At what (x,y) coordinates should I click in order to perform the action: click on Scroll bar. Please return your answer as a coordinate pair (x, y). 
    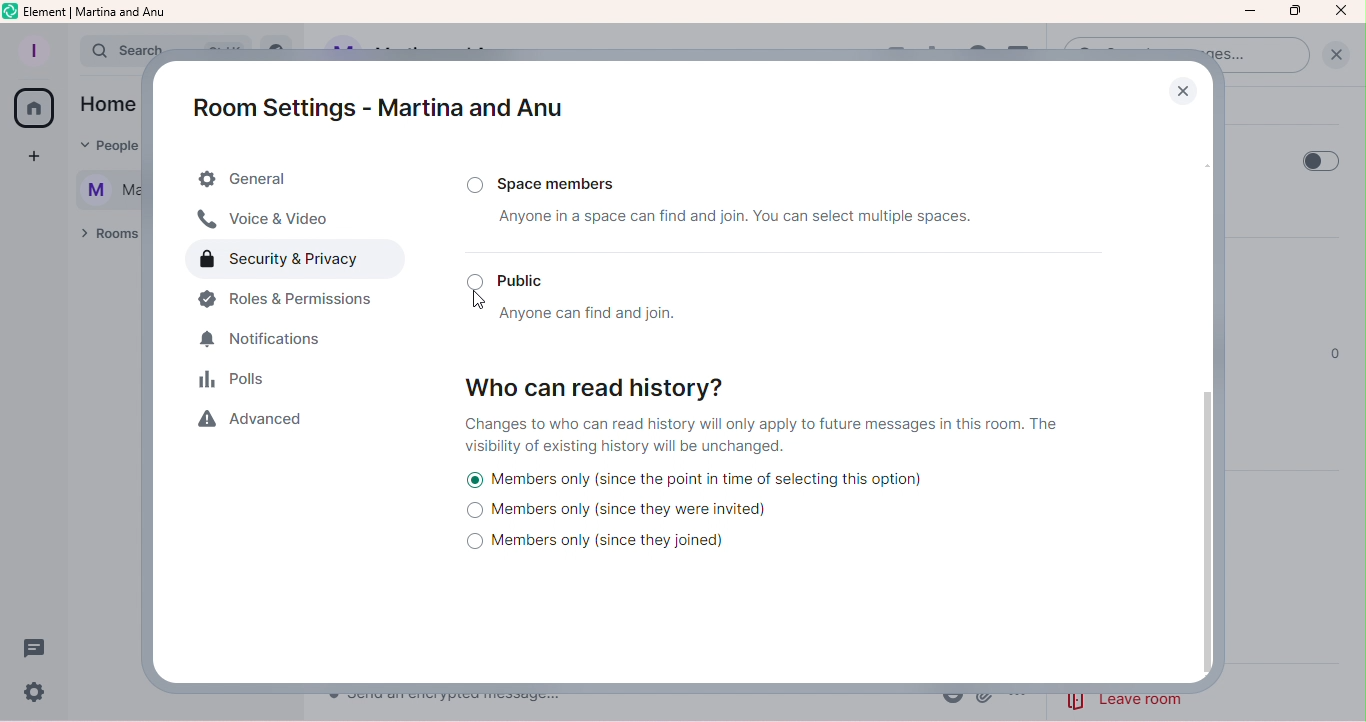
    Looking at the image, I should click on (1209, 392).